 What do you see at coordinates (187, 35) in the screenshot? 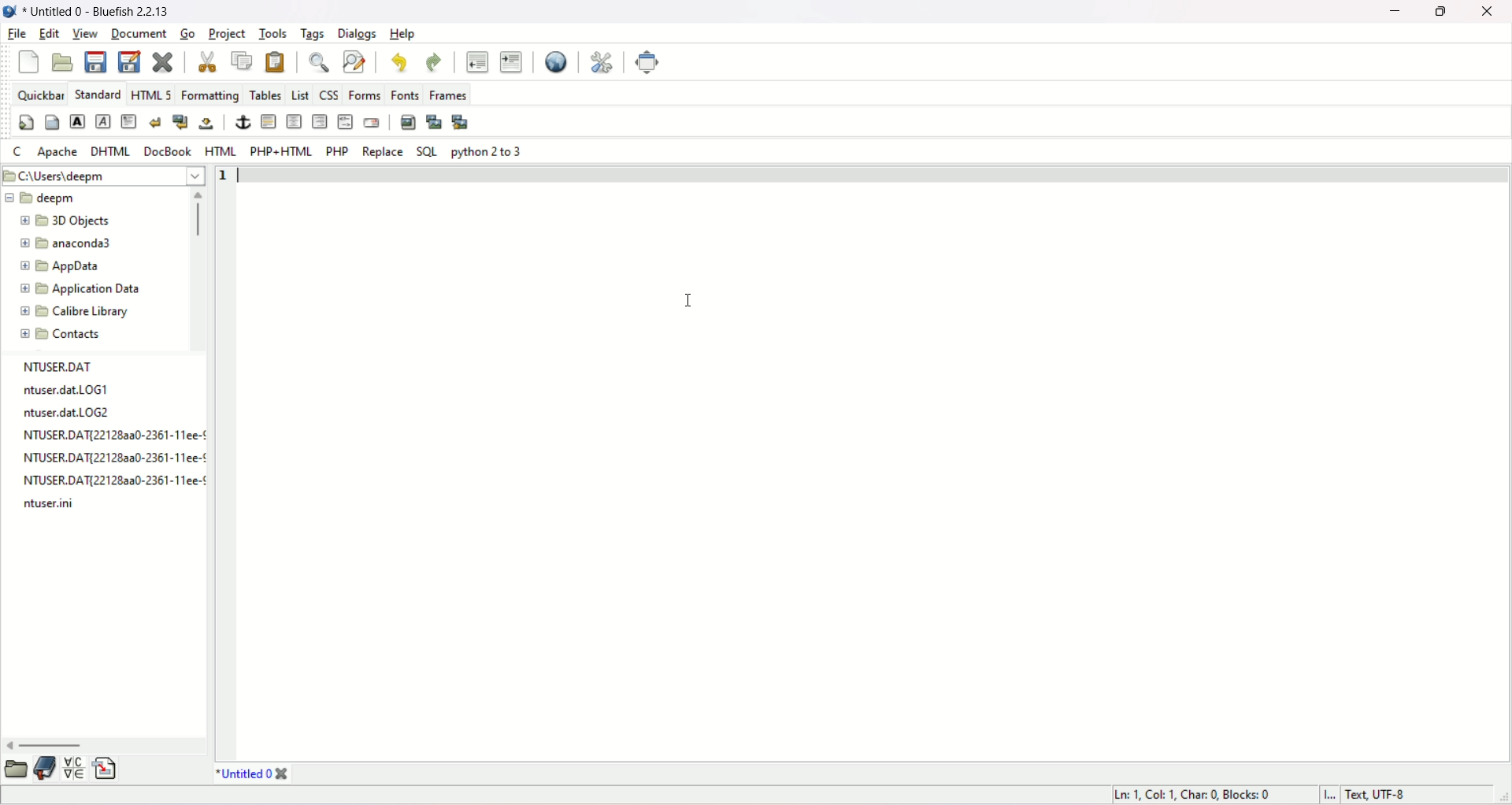
I see `go` at bounding box center [187, 35].